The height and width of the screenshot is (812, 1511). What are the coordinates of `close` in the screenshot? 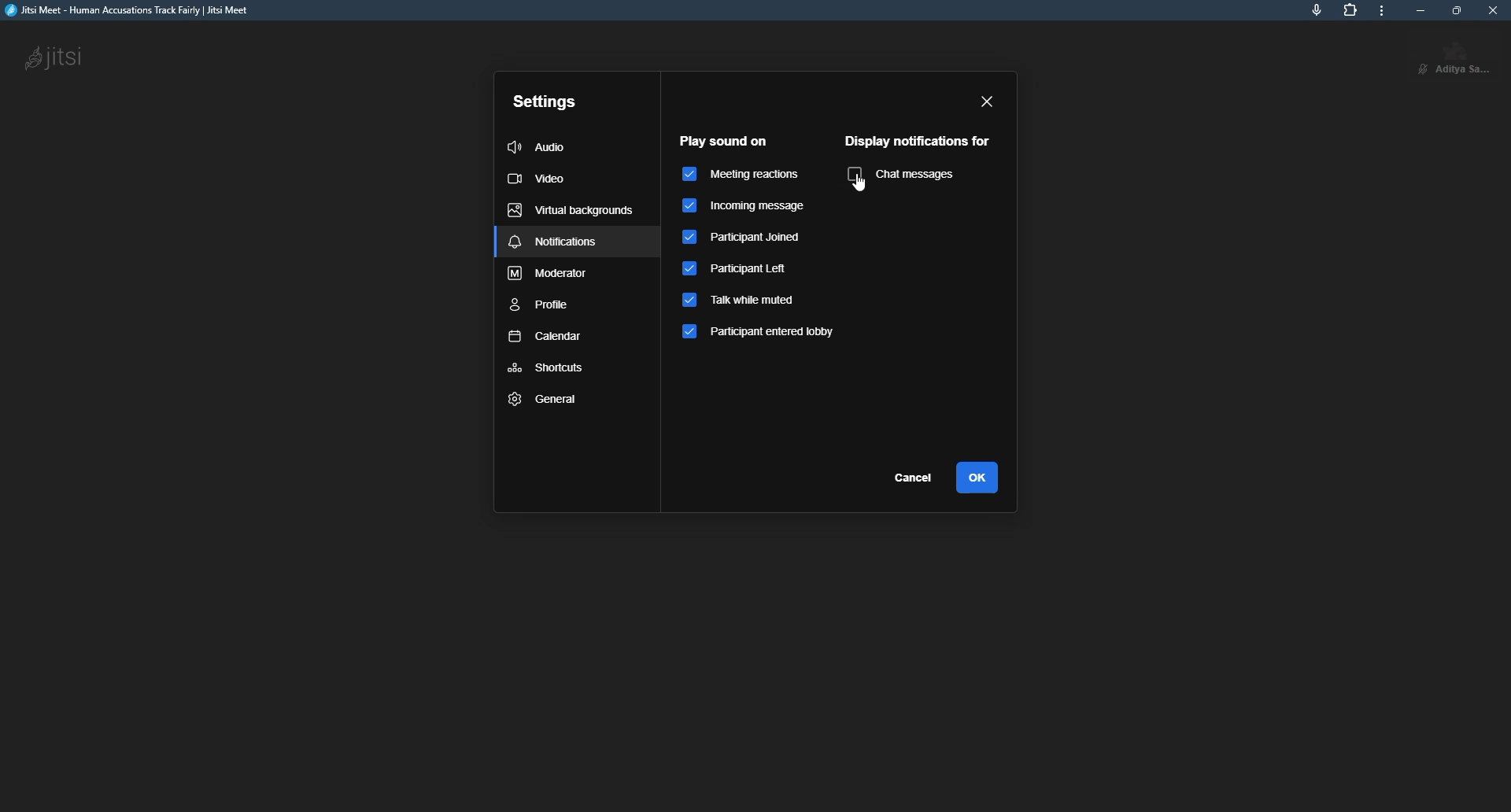 It's located at (1495, 10).